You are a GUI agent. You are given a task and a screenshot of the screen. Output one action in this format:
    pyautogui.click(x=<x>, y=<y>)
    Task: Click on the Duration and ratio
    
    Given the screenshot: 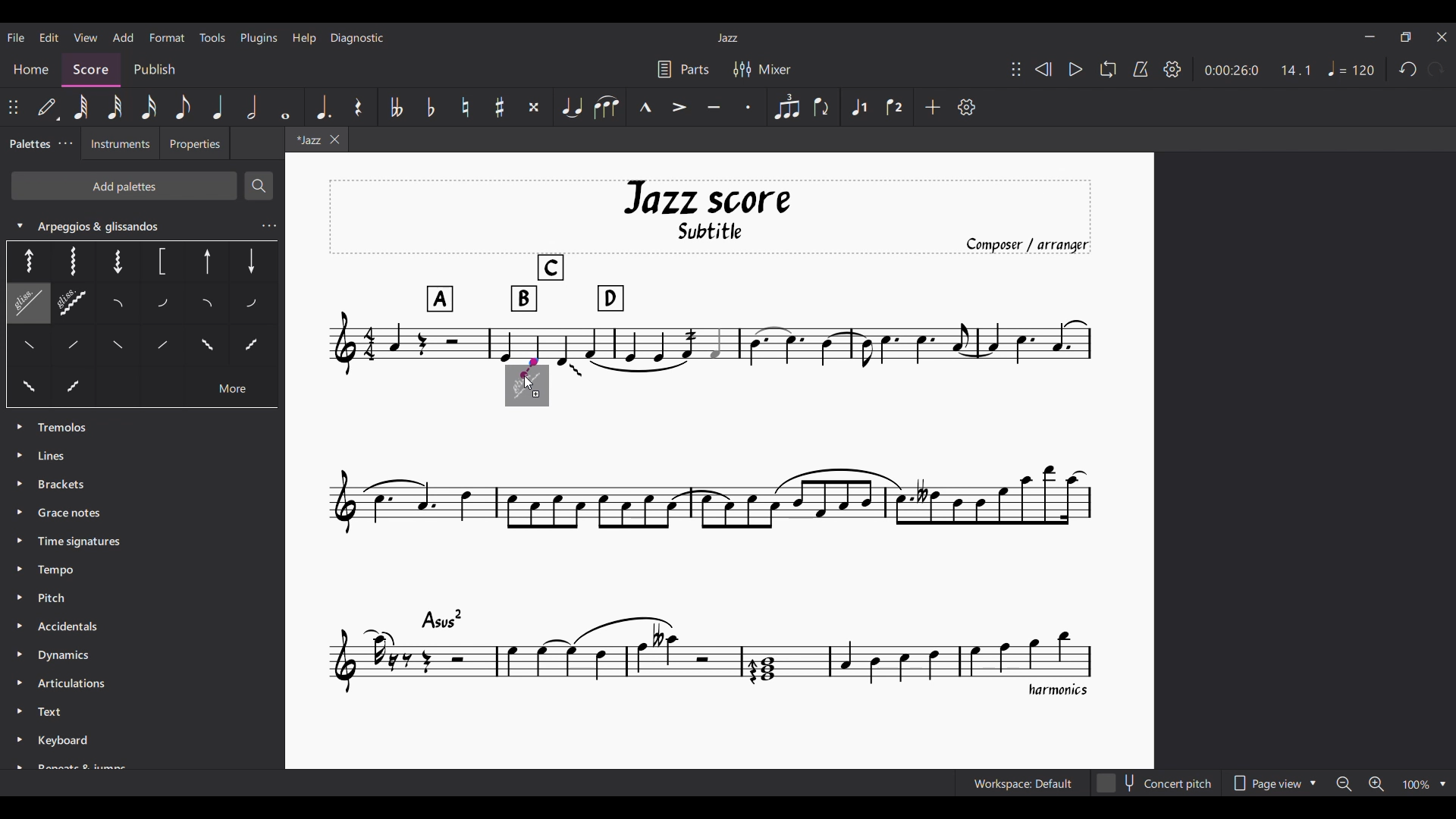 What is the action you would take?
    pyautogui.click(x=1257, y=71)
    